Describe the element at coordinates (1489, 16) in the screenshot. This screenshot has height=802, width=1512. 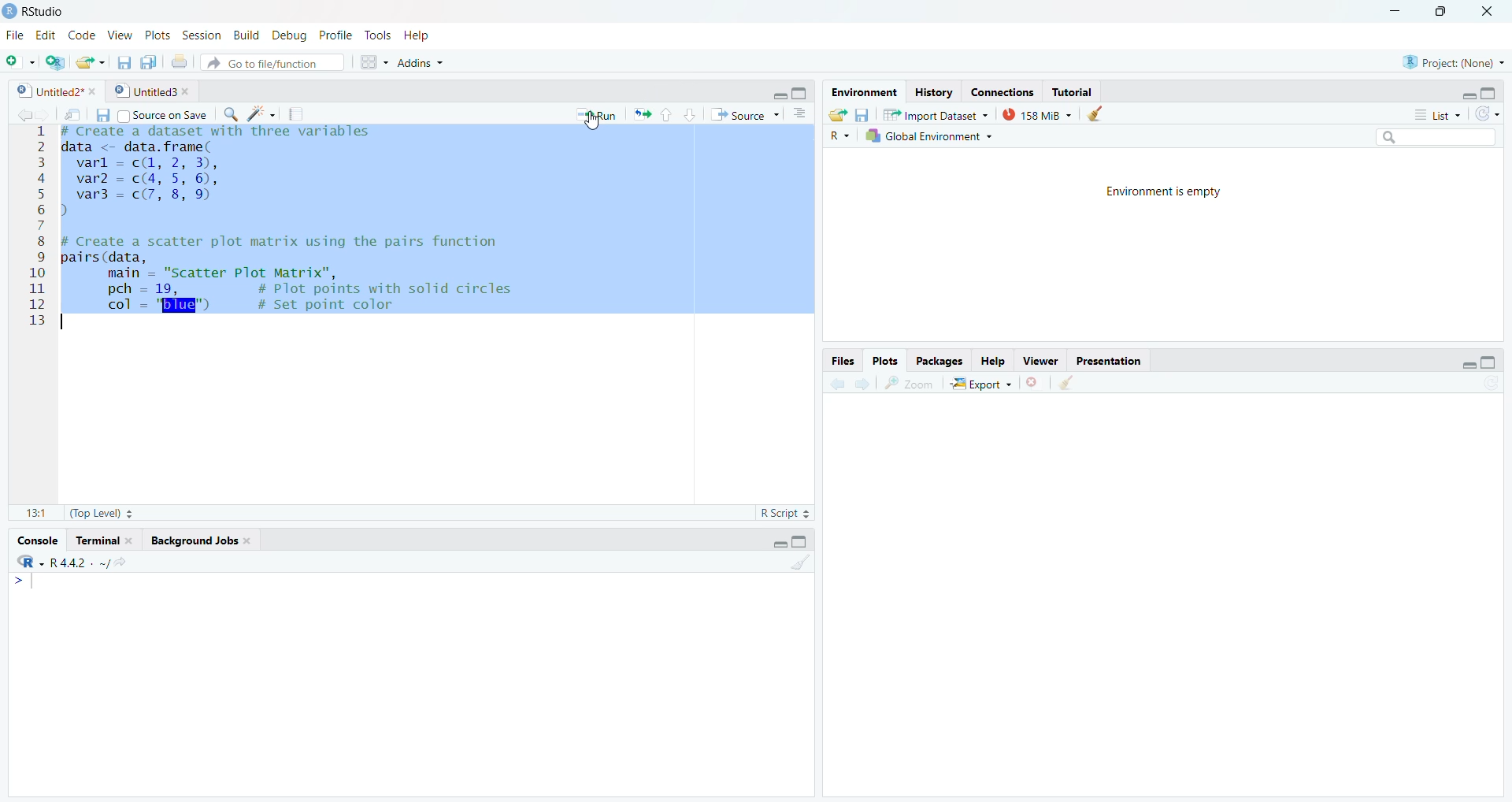
I see `Close` at that location.